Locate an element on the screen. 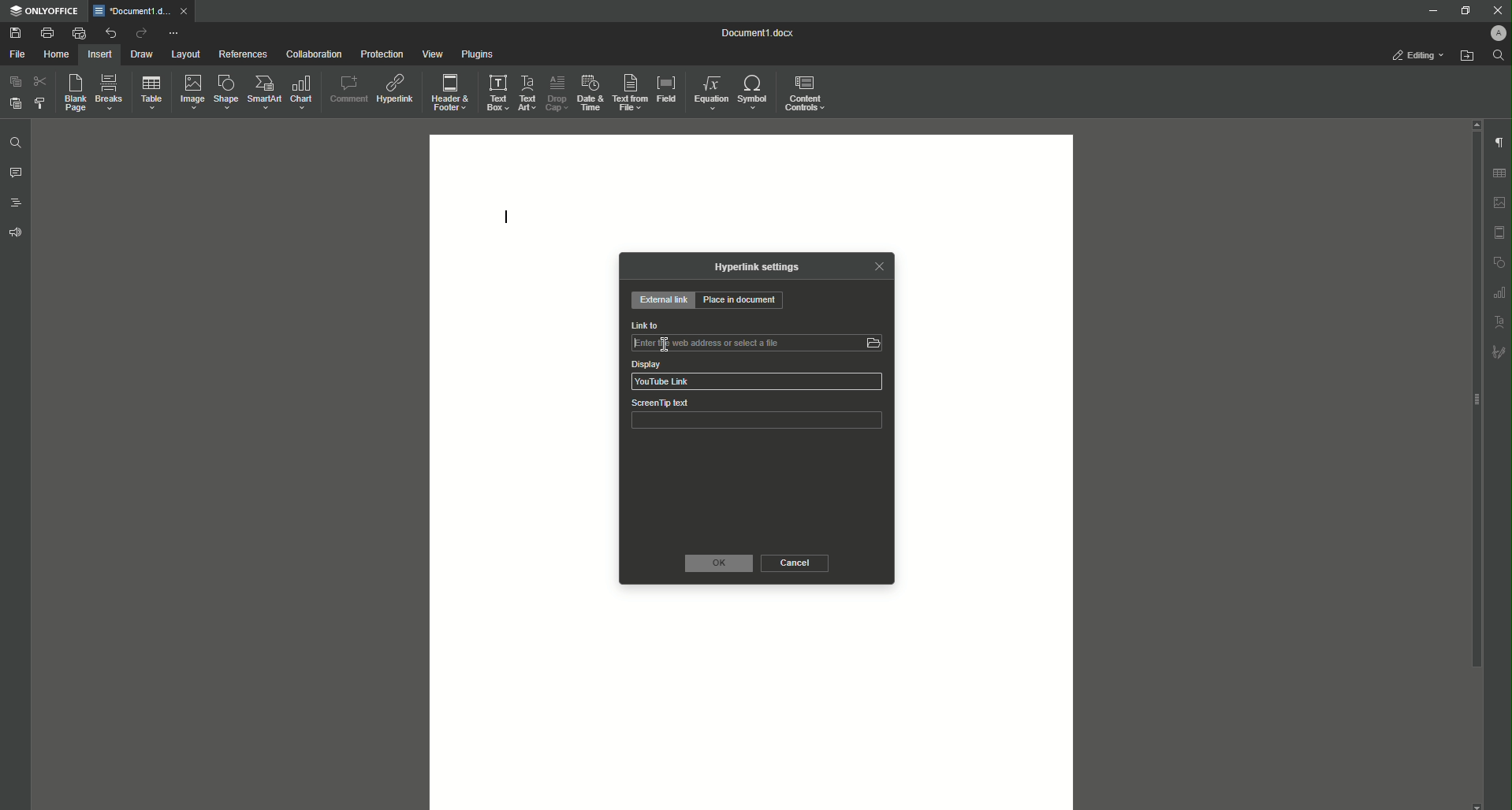 The width and height of the screenshot is (1512, 810). Text Art settings is located at coordinates (1500, 322).